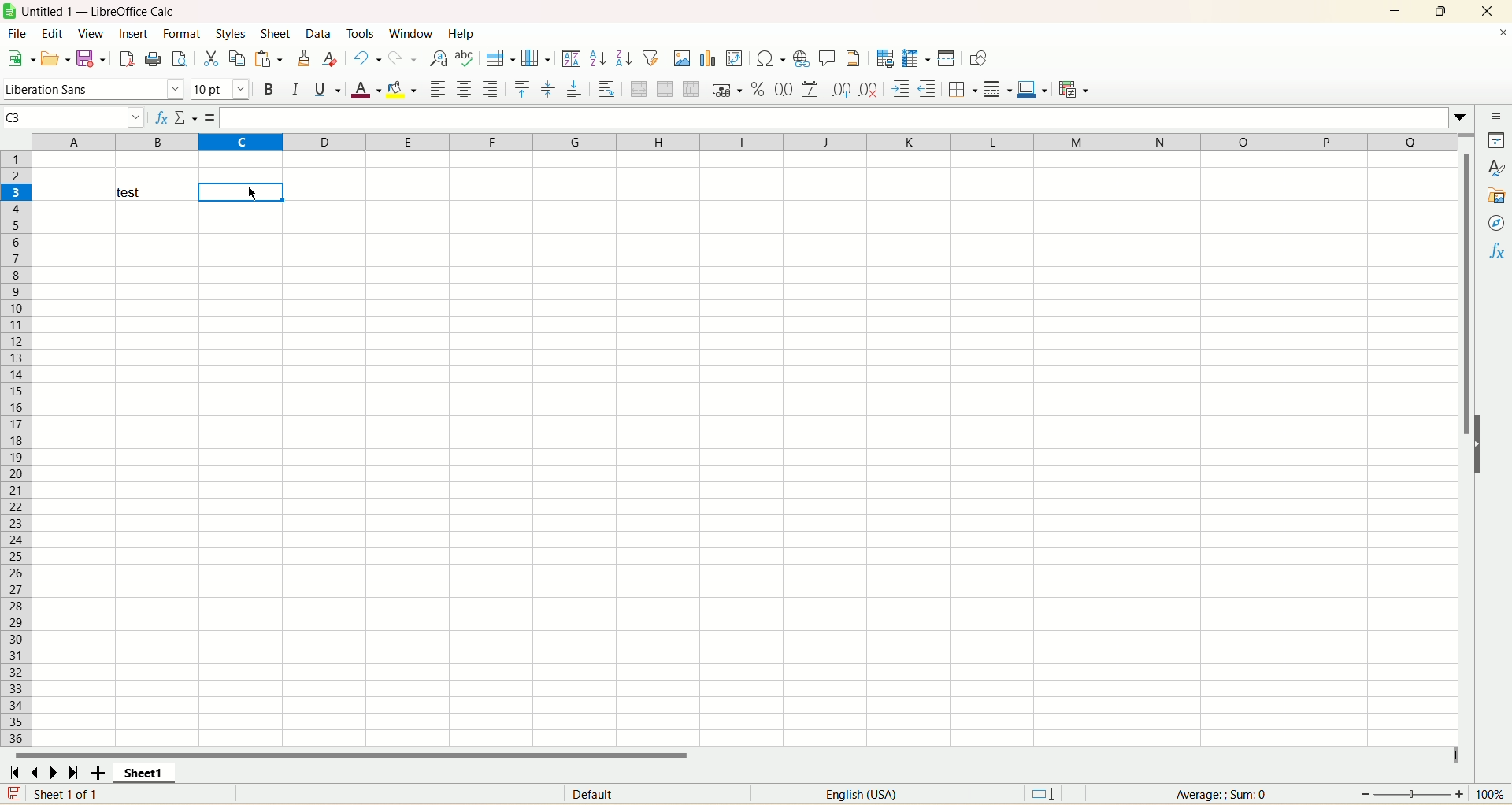 The height and width of the screenshot is (805, 1512). I want to click on unmerge, so click(691, 89).